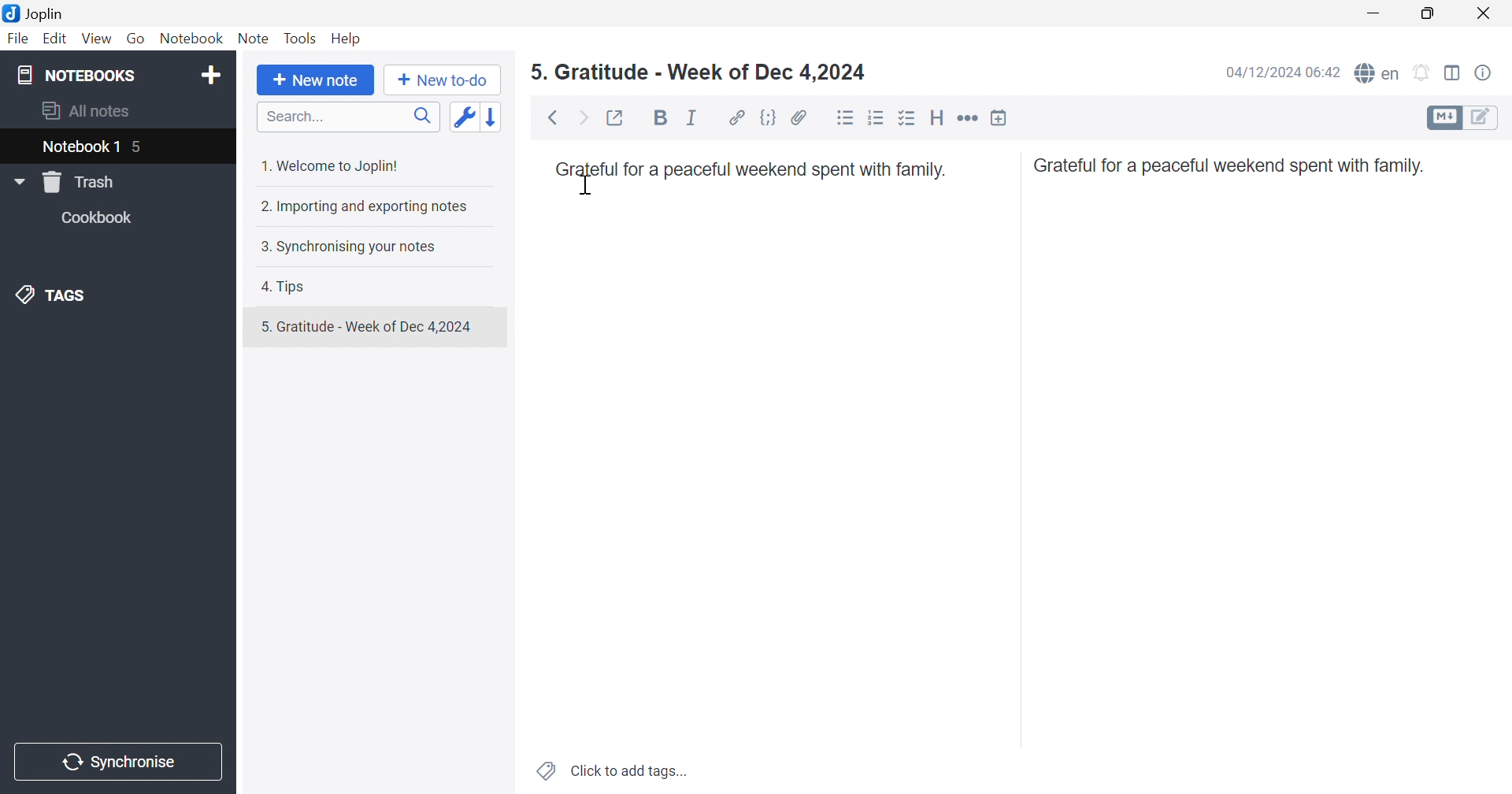  Describe the element at coordinates (102, 217) in the screenshot. I see `Cookbook` at that location.